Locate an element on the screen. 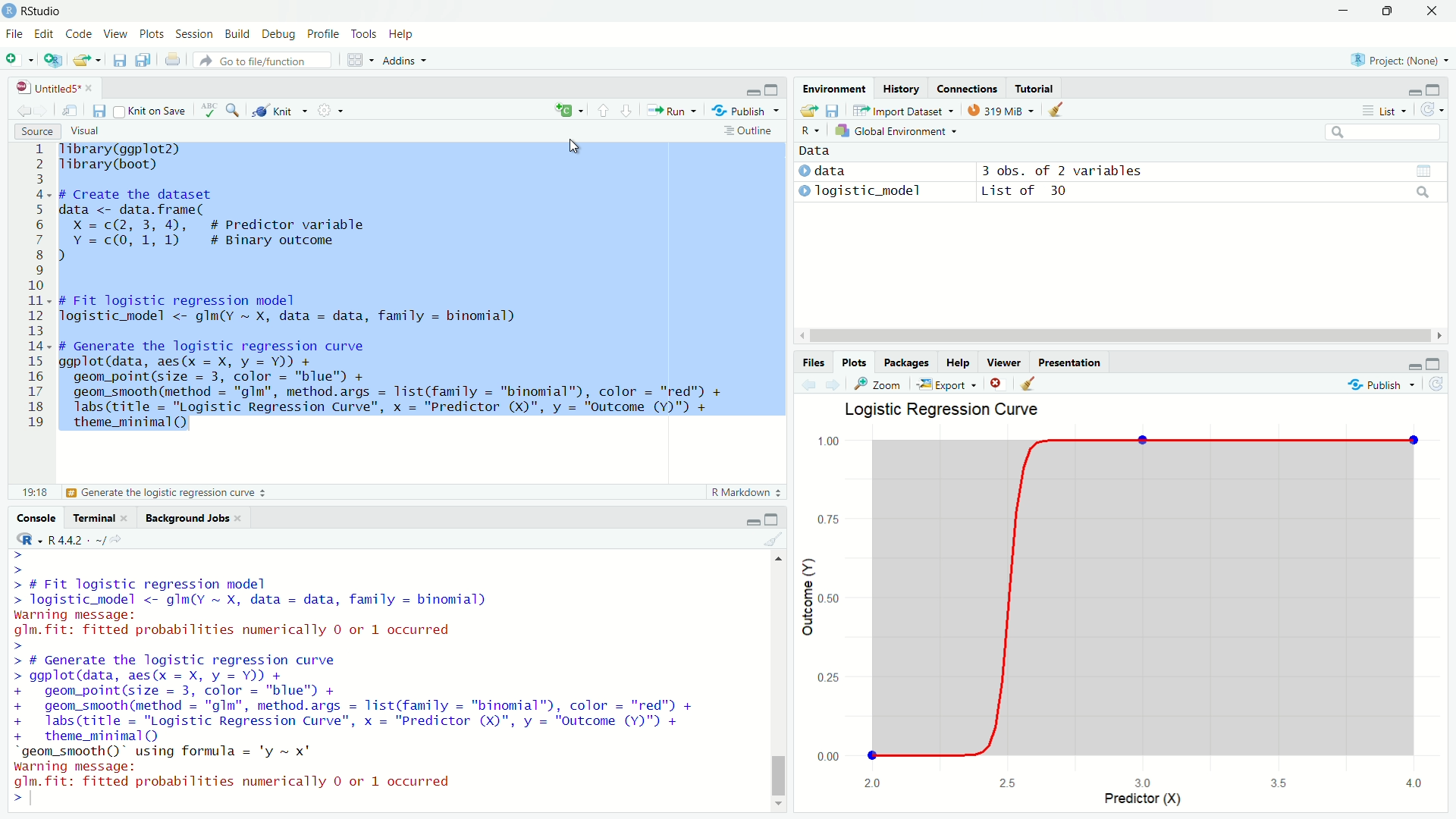 This screenshot has height=819, width=1456. Create a project is located at coordinates (52, 60).